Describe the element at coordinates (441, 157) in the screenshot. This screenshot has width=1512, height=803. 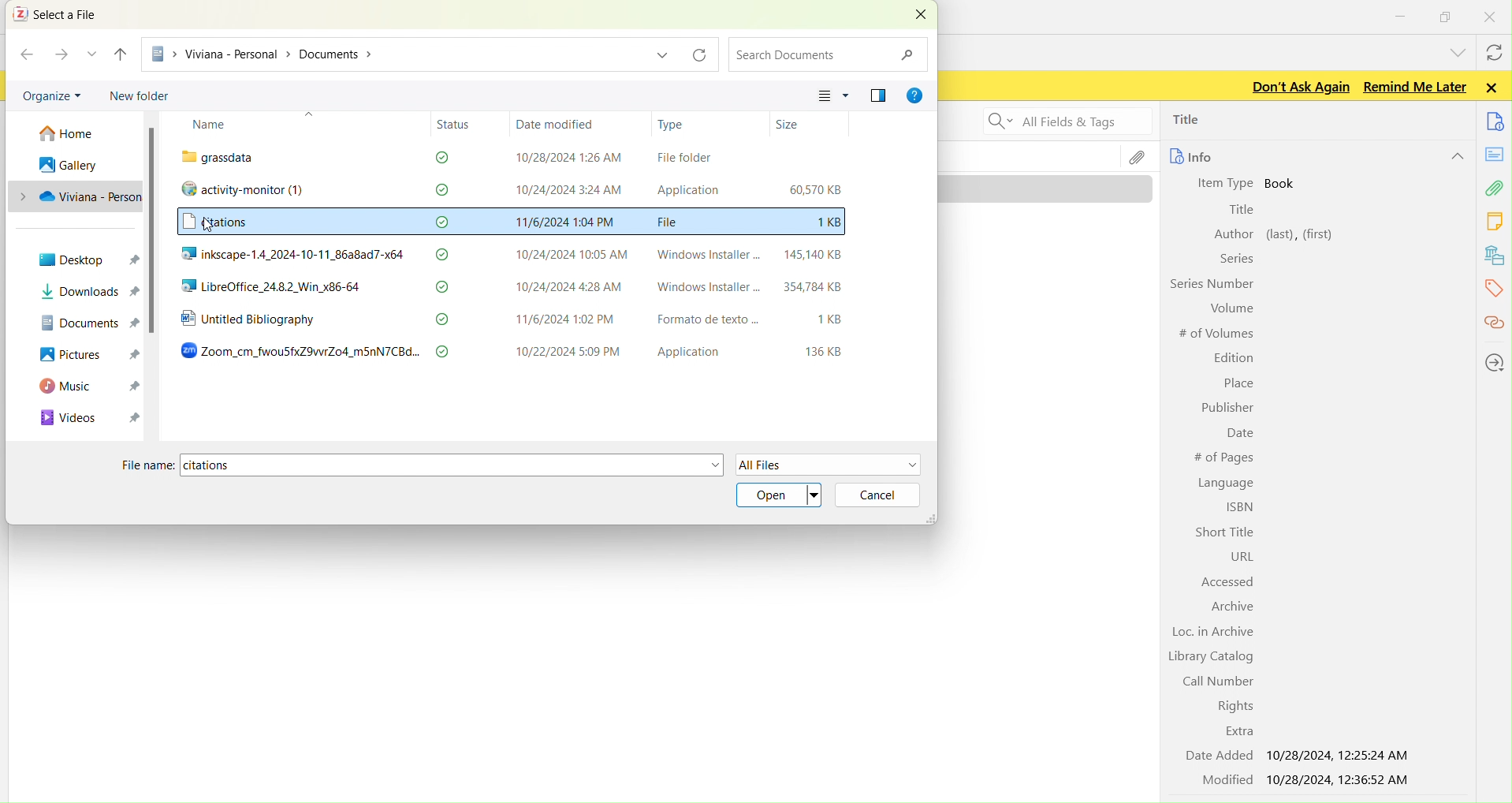
I see `check` at that location.